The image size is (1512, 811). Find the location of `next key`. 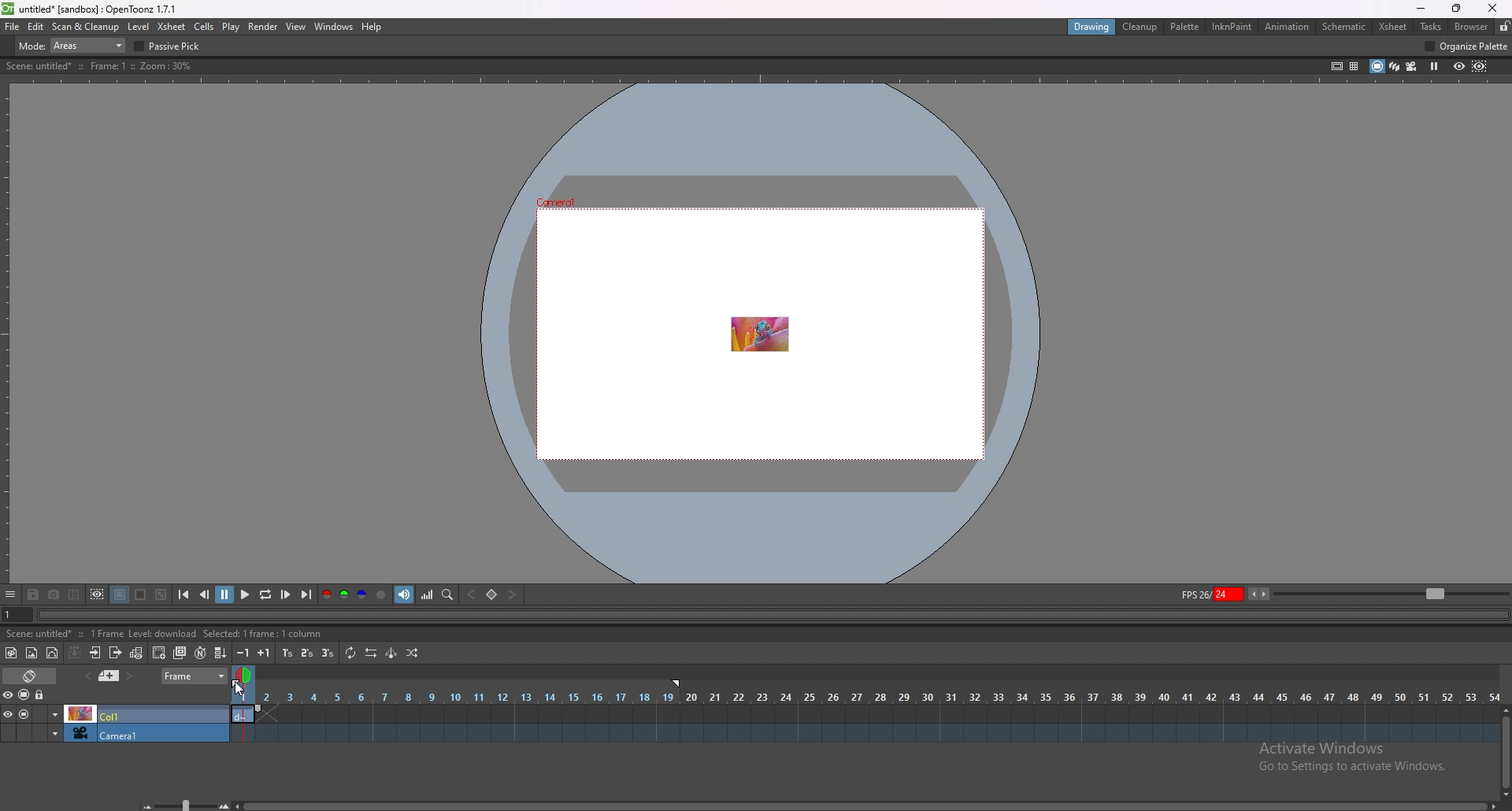

next key is located at coordinates (511, 594).